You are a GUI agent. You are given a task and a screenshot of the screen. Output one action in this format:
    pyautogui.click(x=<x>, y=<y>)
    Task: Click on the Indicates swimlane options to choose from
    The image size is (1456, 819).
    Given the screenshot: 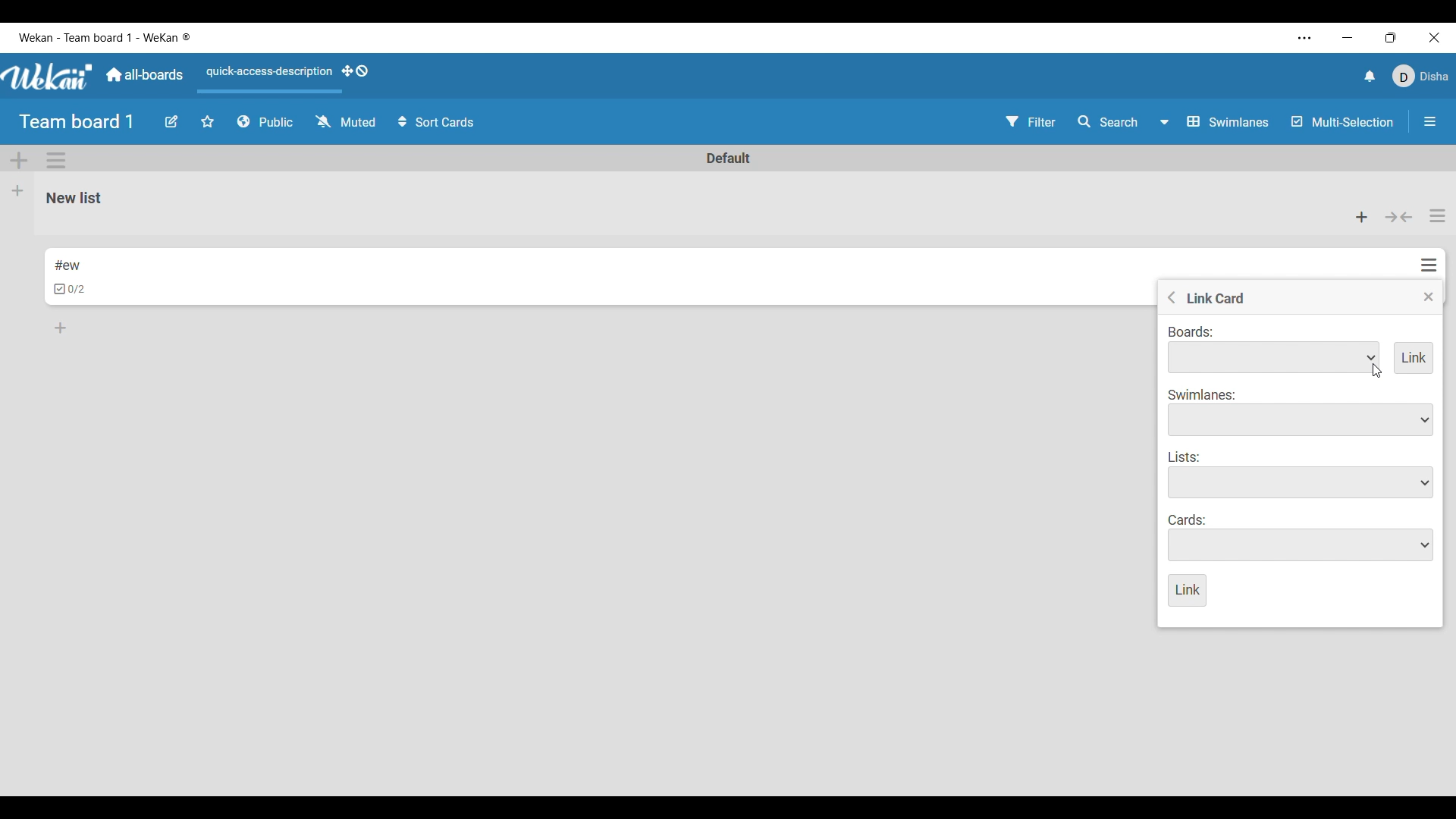 What is the action you would take?
    pyautogui.click(x=1202, y=394)
    